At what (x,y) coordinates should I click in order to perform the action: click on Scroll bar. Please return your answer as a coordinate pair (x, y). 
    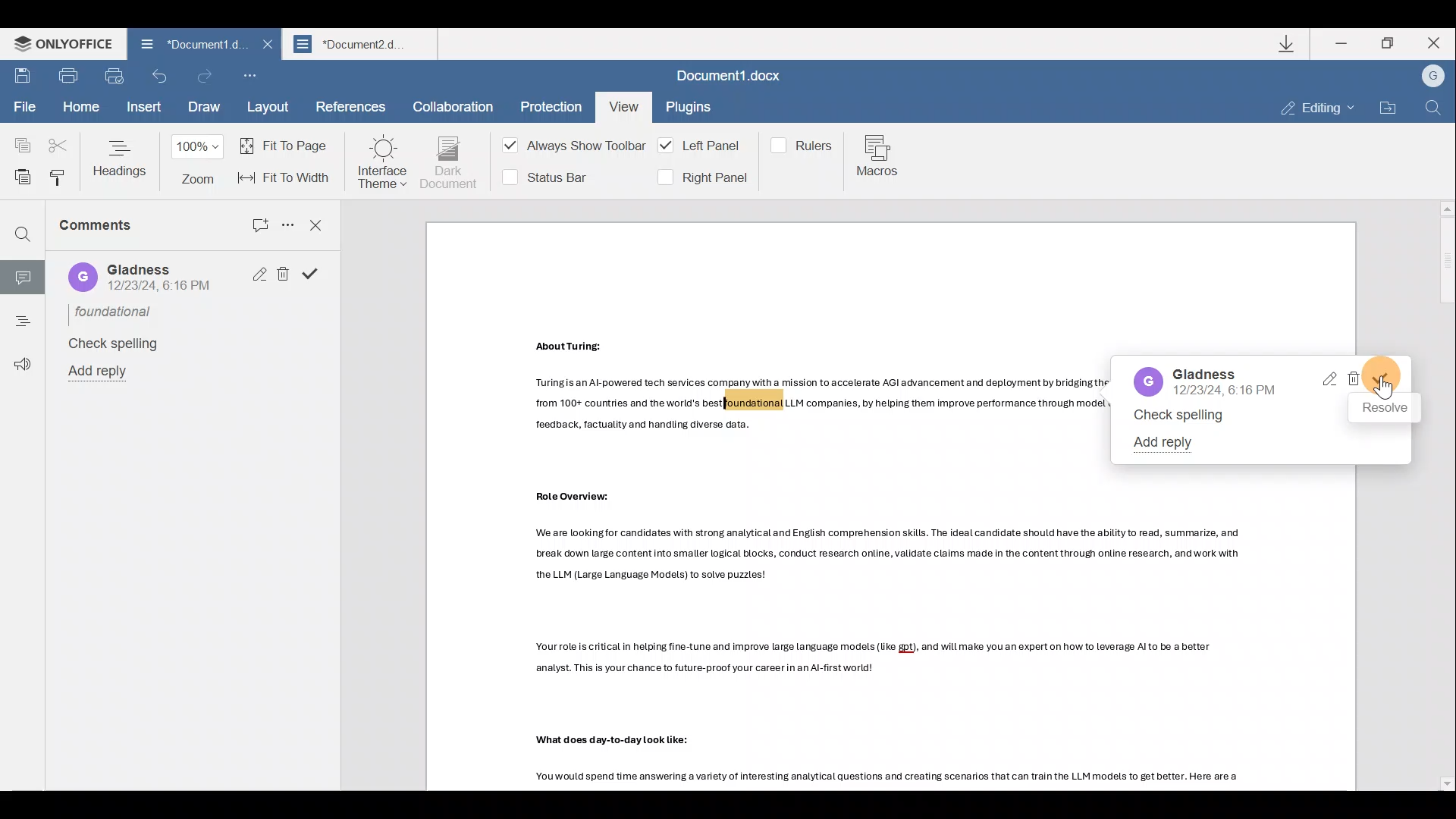
    Looking at the image, I should click on (1442, 496).